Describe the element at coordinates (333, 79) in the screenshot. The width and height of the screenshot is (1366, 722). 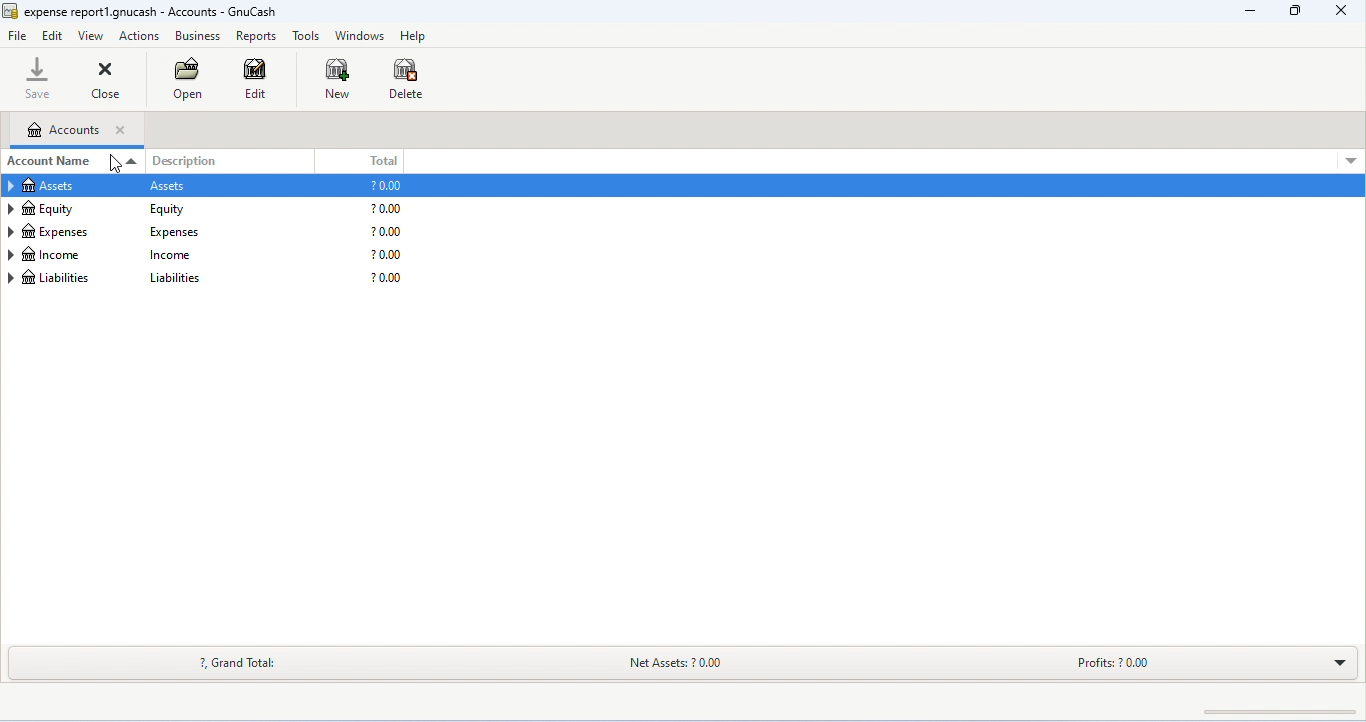
I see `new` at that location.